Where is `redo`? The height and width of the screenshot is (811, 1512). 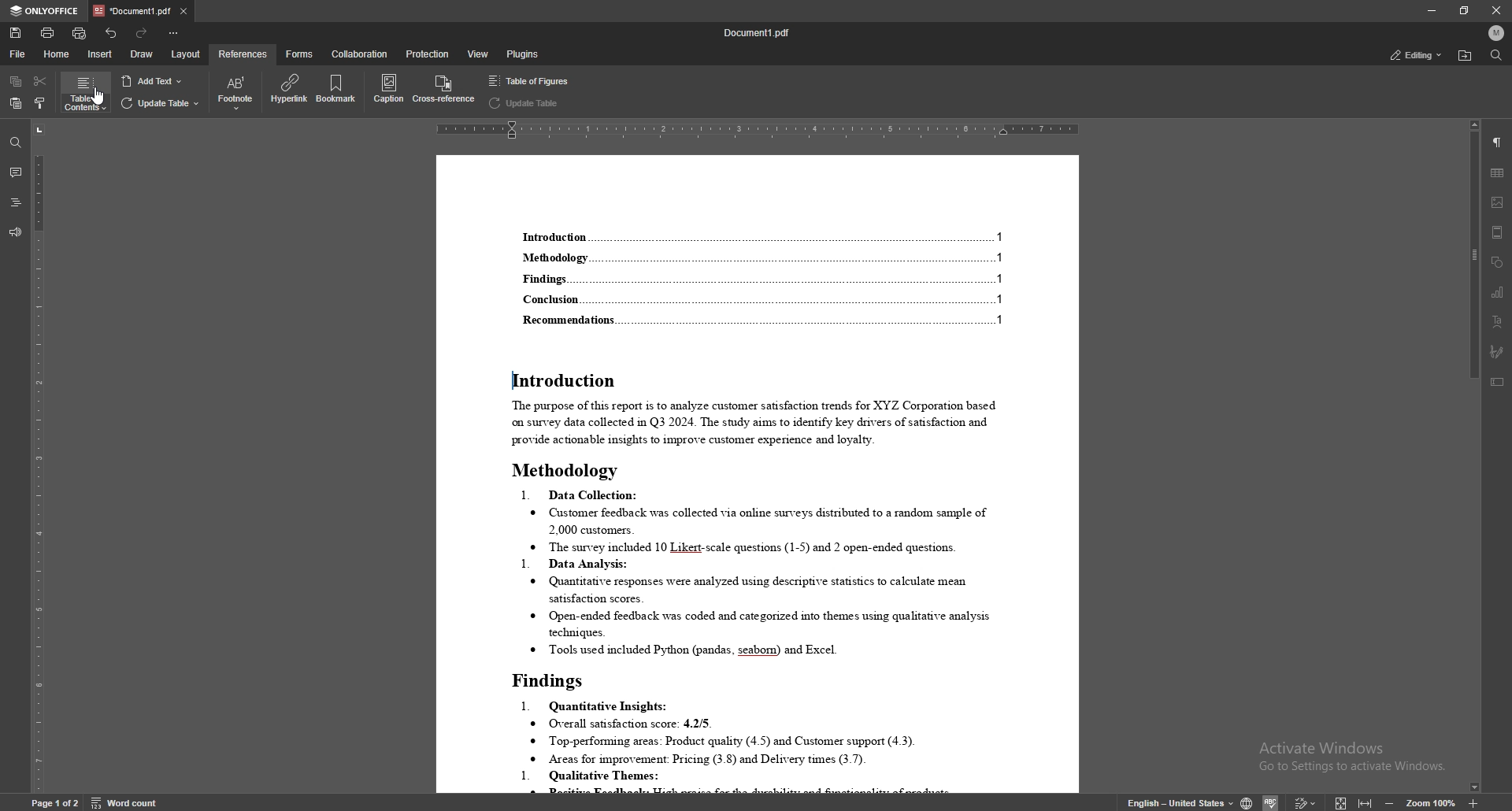 redo is located at coordinates (144, 33).